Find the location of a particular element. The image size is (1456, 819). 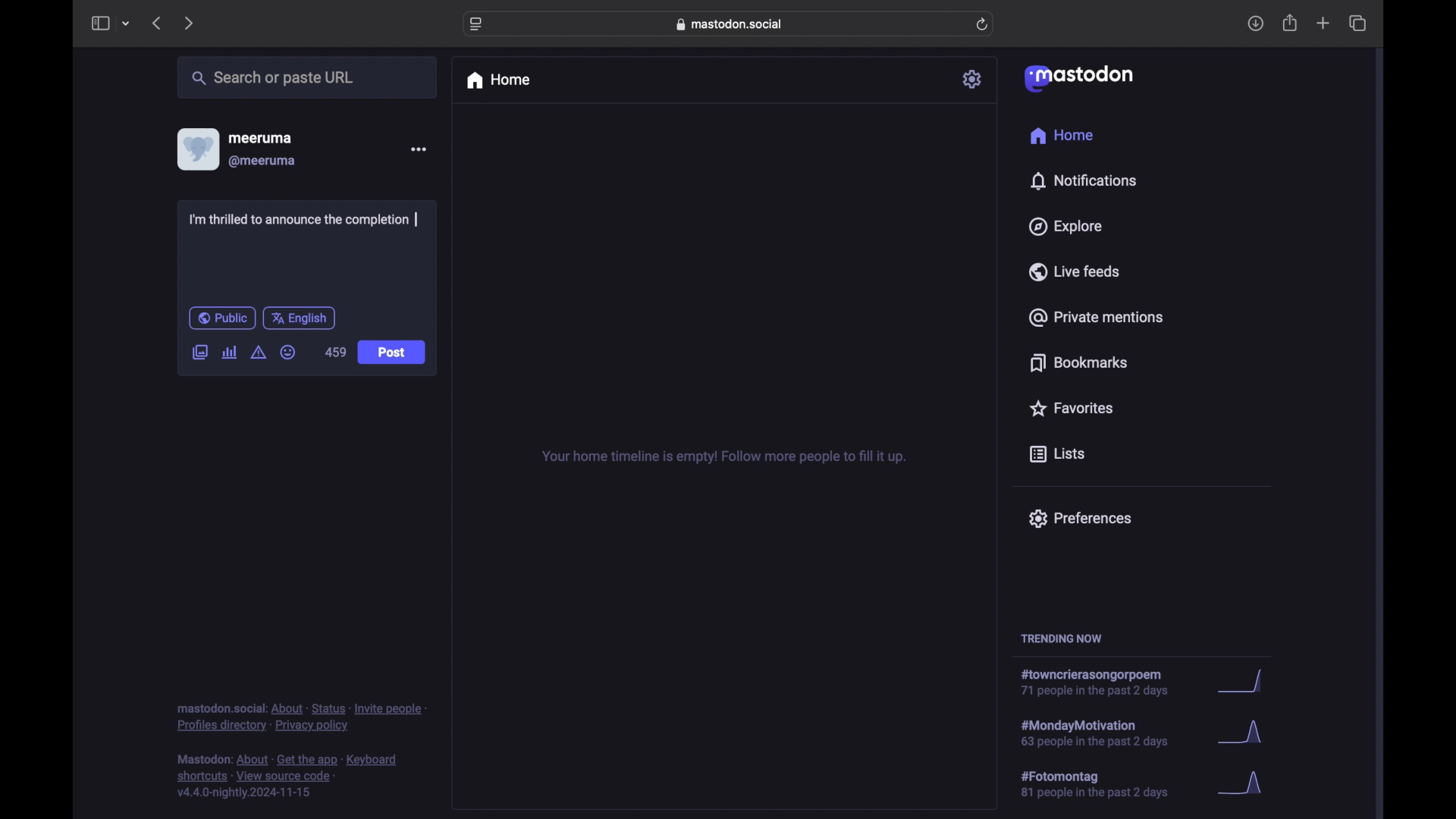

refresh is located at coordinates (982, 24).